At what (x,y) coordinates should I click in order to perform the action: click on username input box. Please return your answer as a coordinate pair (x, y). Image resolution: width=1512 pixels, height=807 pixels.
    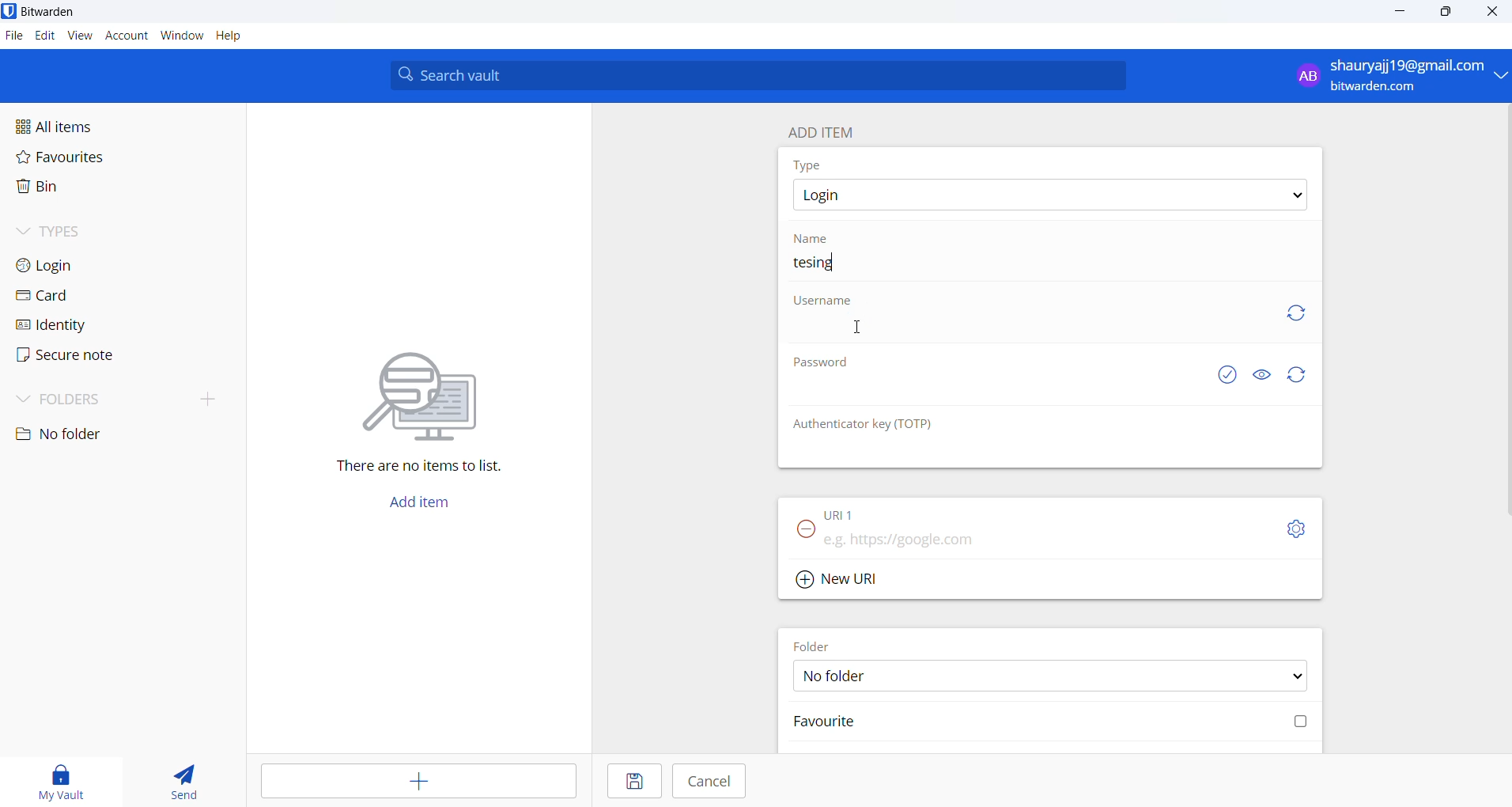
    Looking at the image, I should click on (1030, 332).